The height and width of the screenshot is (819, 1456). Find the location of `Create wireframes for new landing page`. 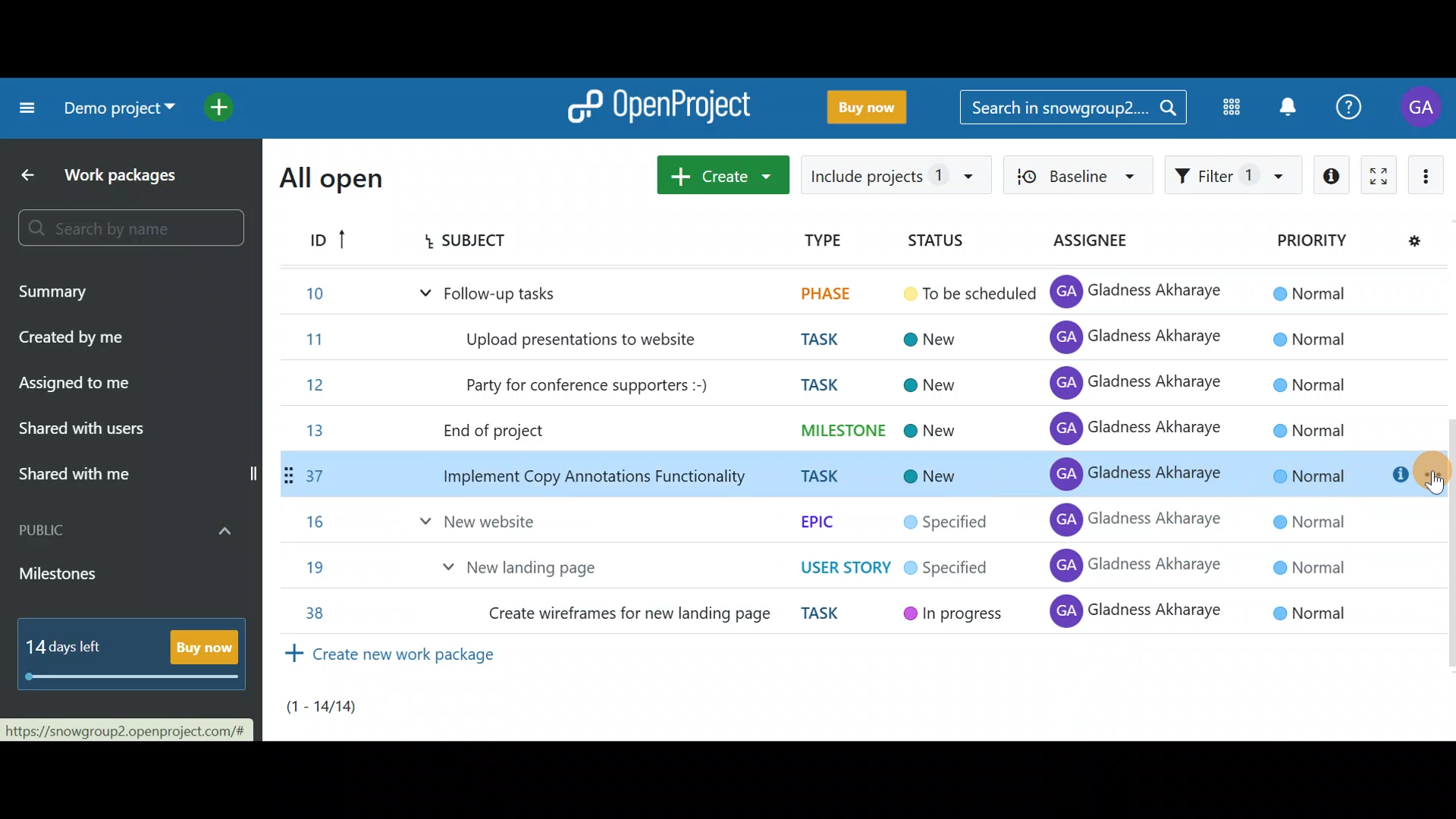

Create wireframes for new landing page is located at coordinates (631, 617).